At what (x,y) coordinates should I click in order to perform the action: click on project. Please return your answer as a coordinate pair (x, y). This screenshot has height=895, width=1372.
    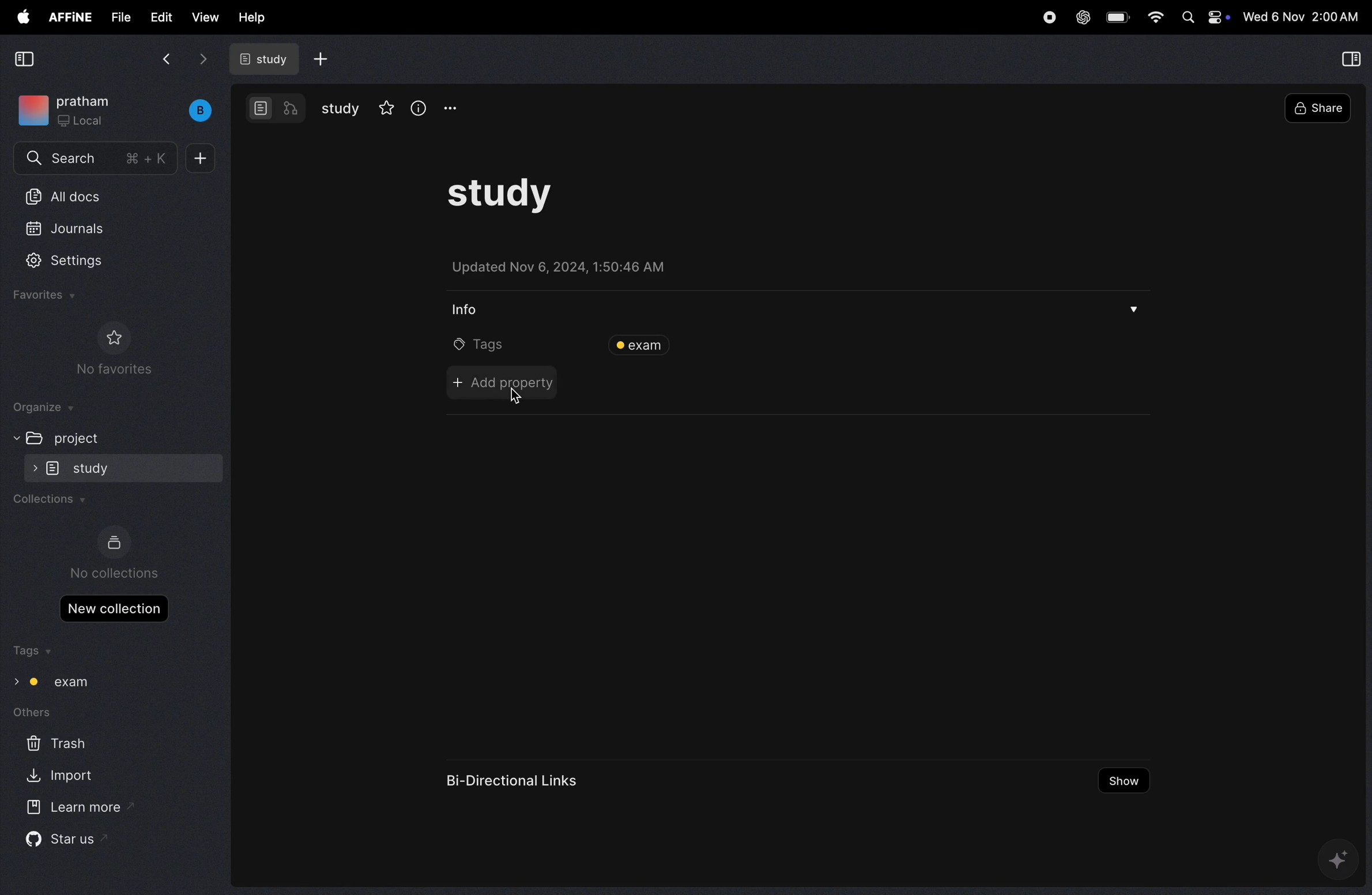
    Looking at the image, I should click on (77, 436).